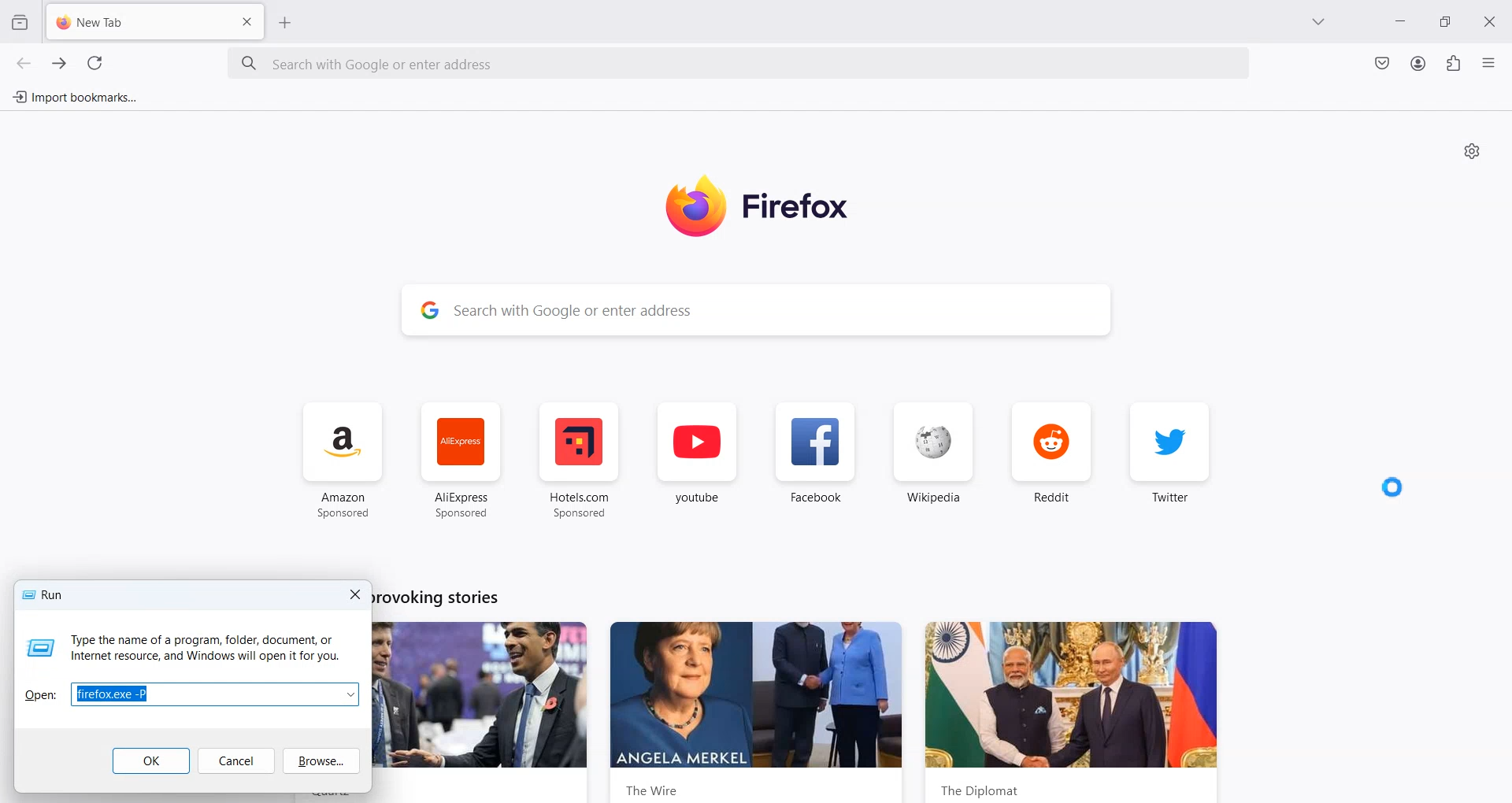  Describe the element at coordinates (461, 461) in the screenshot. I see `AliExpress Sponsored` at that location.